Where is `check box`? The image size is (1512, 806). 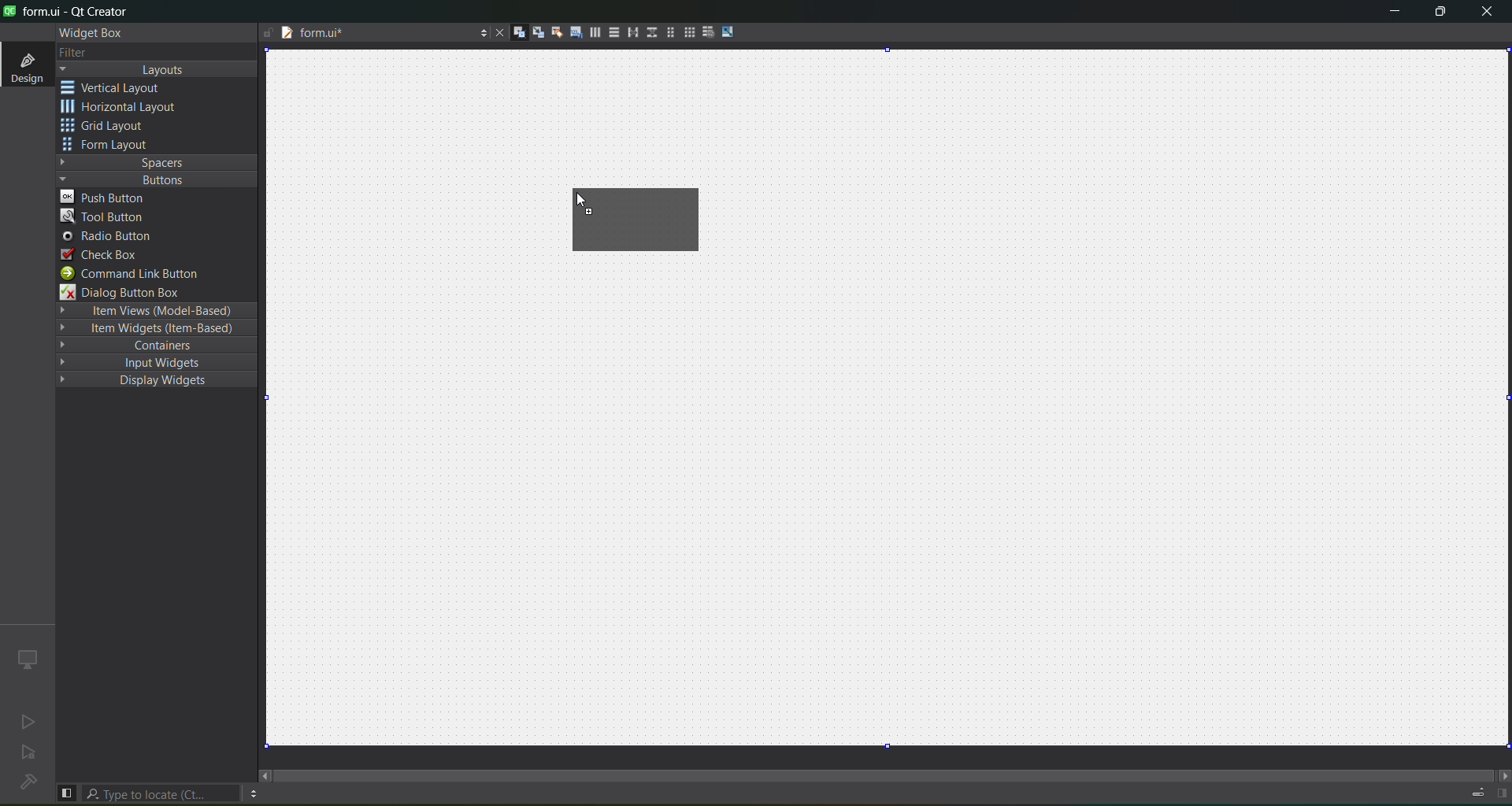
check box is located at coordinates (101, 254).